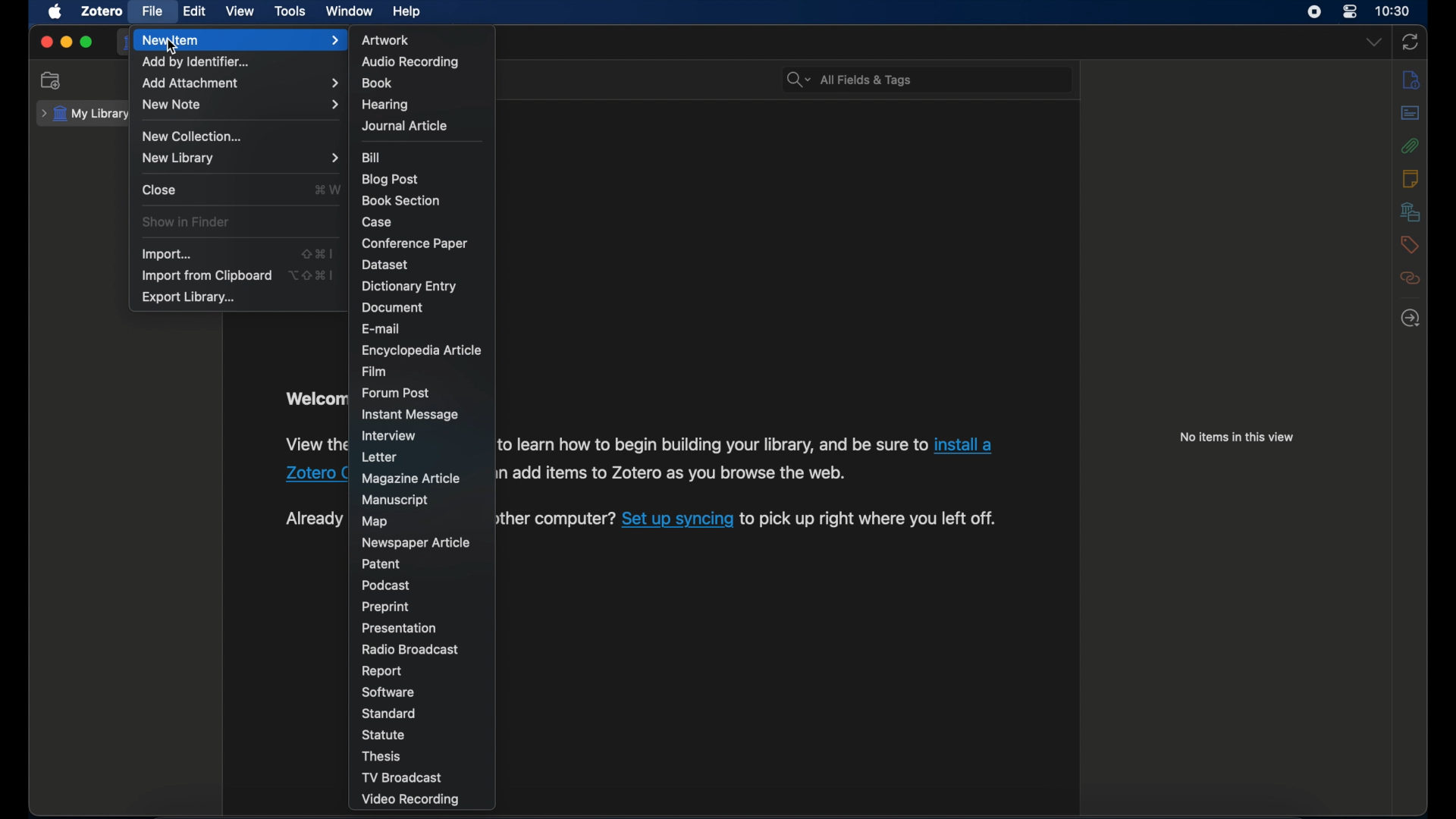  I want to click on sync, so click(1411, 42).